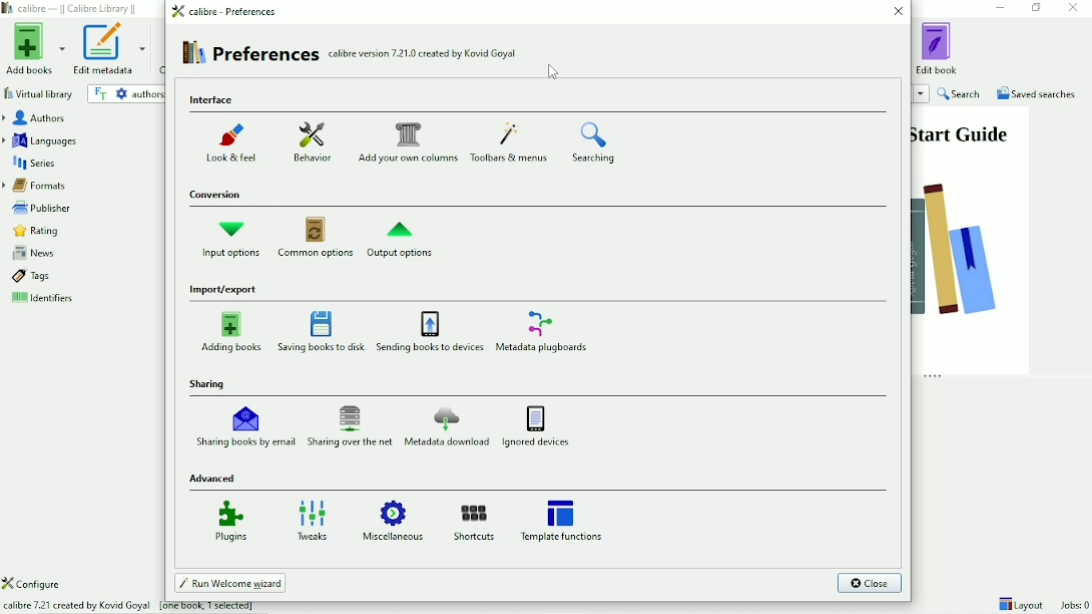 The width and height of the screenshot is (1092, 614). Describe the element at coordinates (231, 332) in the screenshot. I see `Adding books` at that location.